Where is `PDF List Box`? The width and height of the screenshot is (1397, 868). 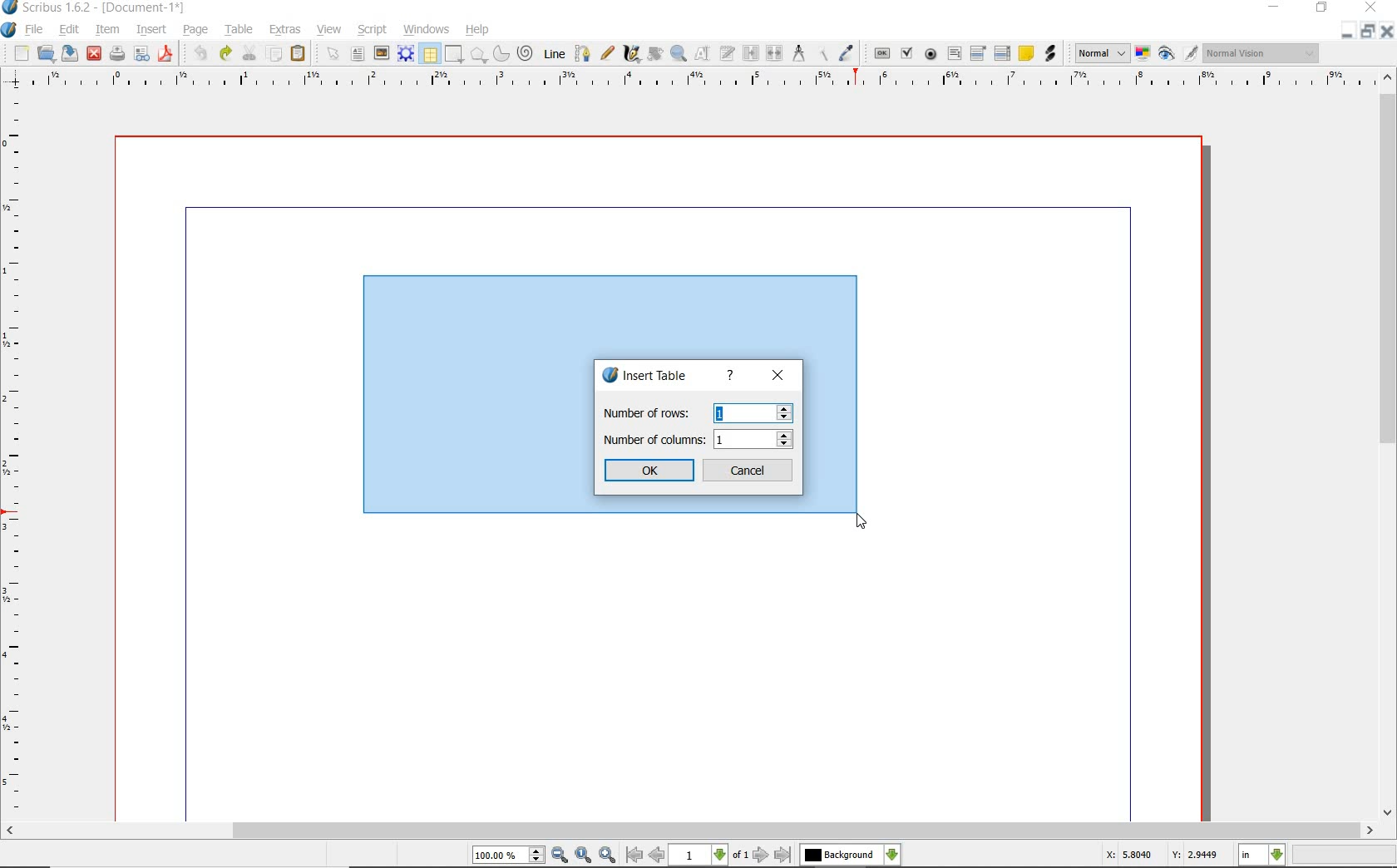
PDF List Box is located at coordinates (1002, 53).